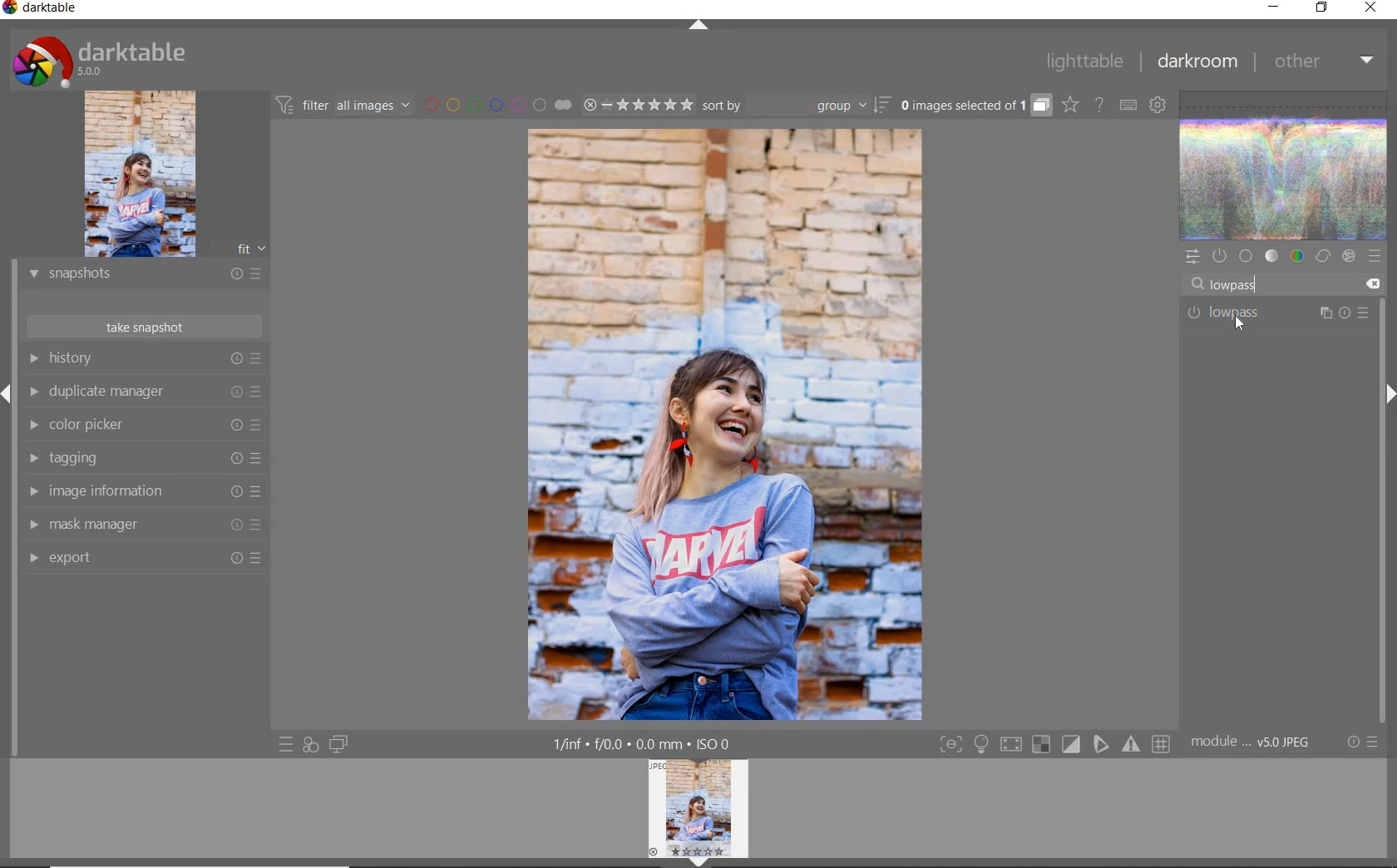  I want to click on image preview, so click(703, 812).